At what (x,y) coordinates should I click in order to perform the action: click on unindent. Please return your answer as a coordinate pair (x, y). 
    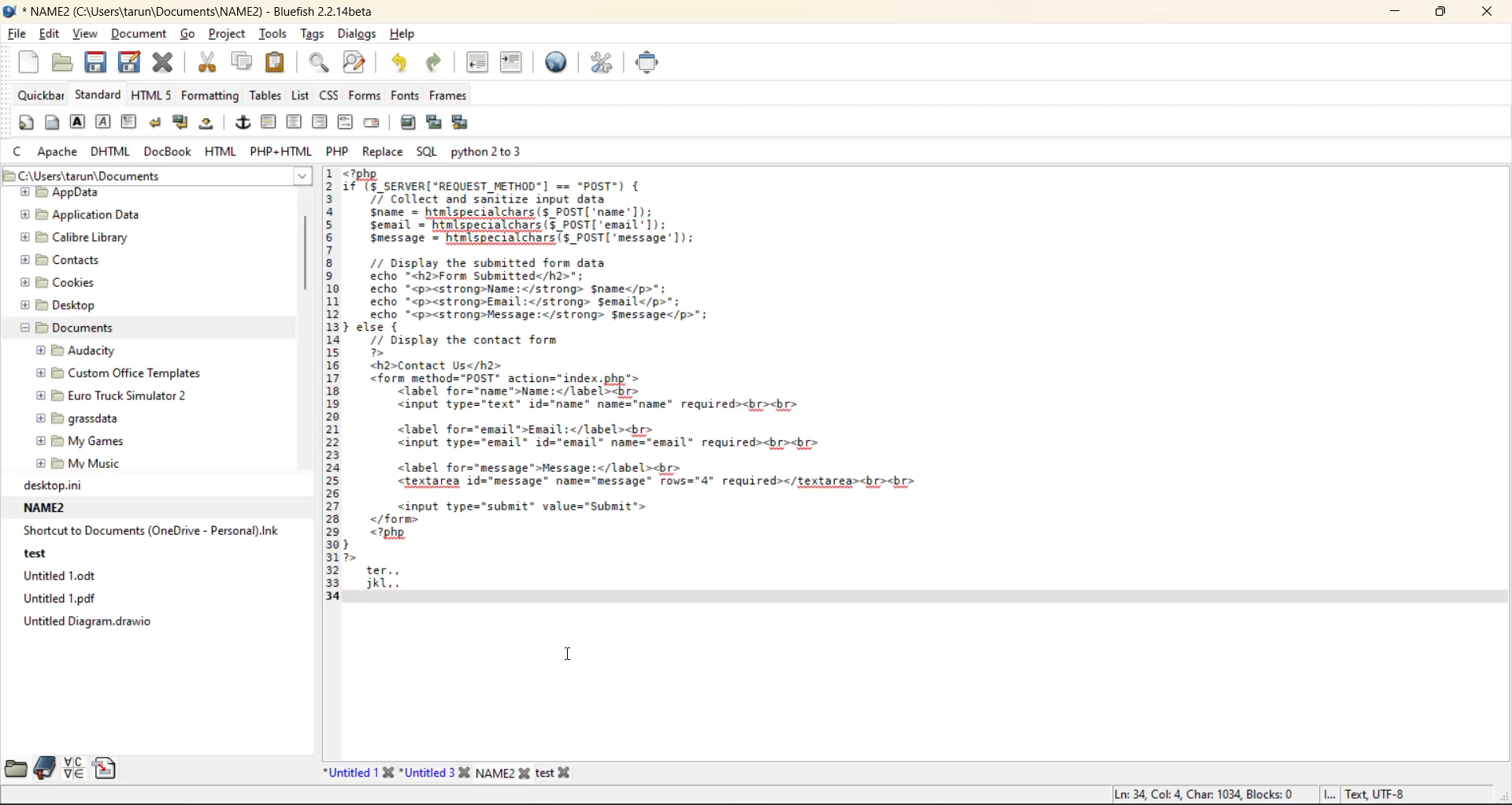
    Looking at the image, I should click on (477, 62).